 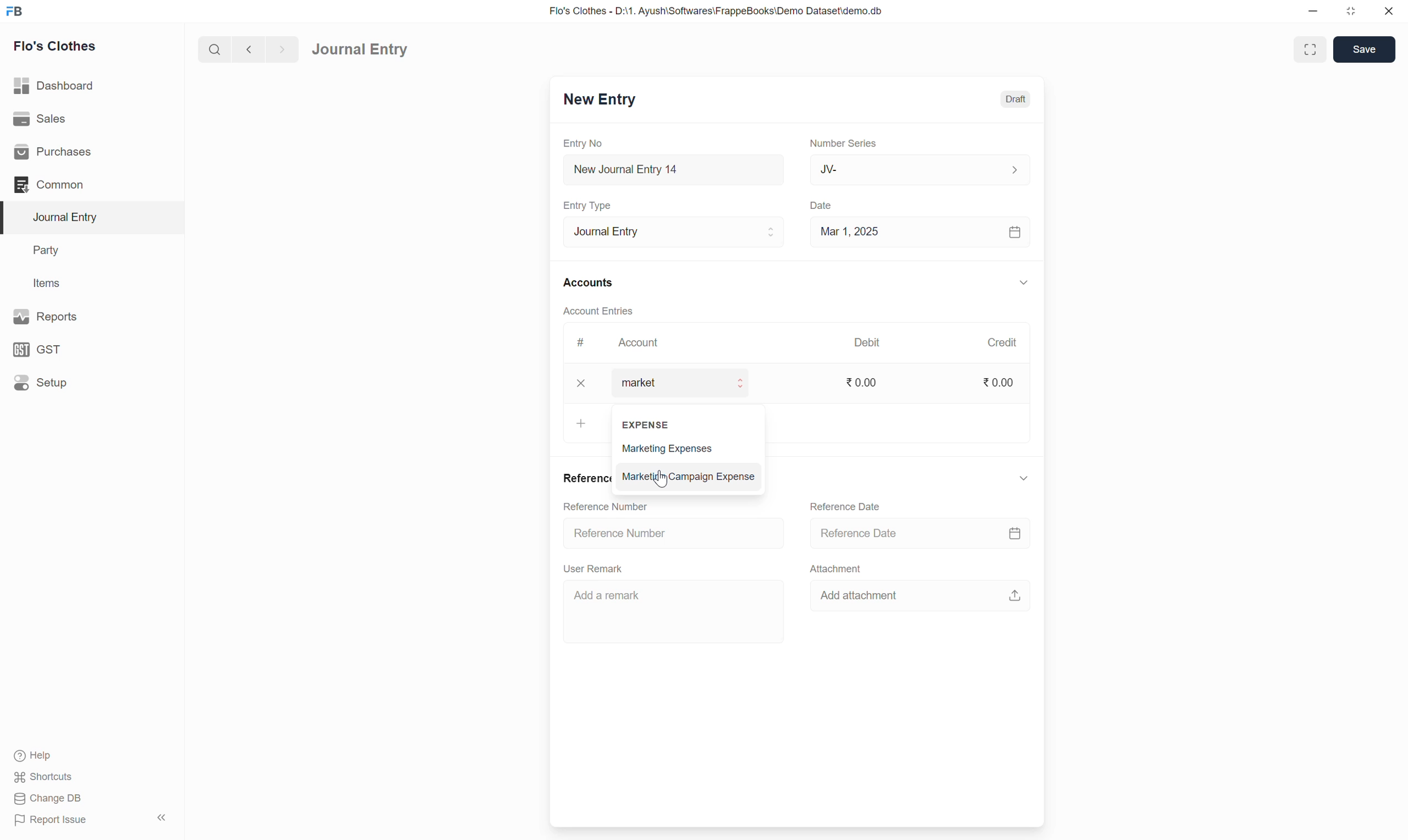 What do you see at coordinates (674, 231) in the screenshot?
I see `Journal Entry` at bounding box center [674, 231].